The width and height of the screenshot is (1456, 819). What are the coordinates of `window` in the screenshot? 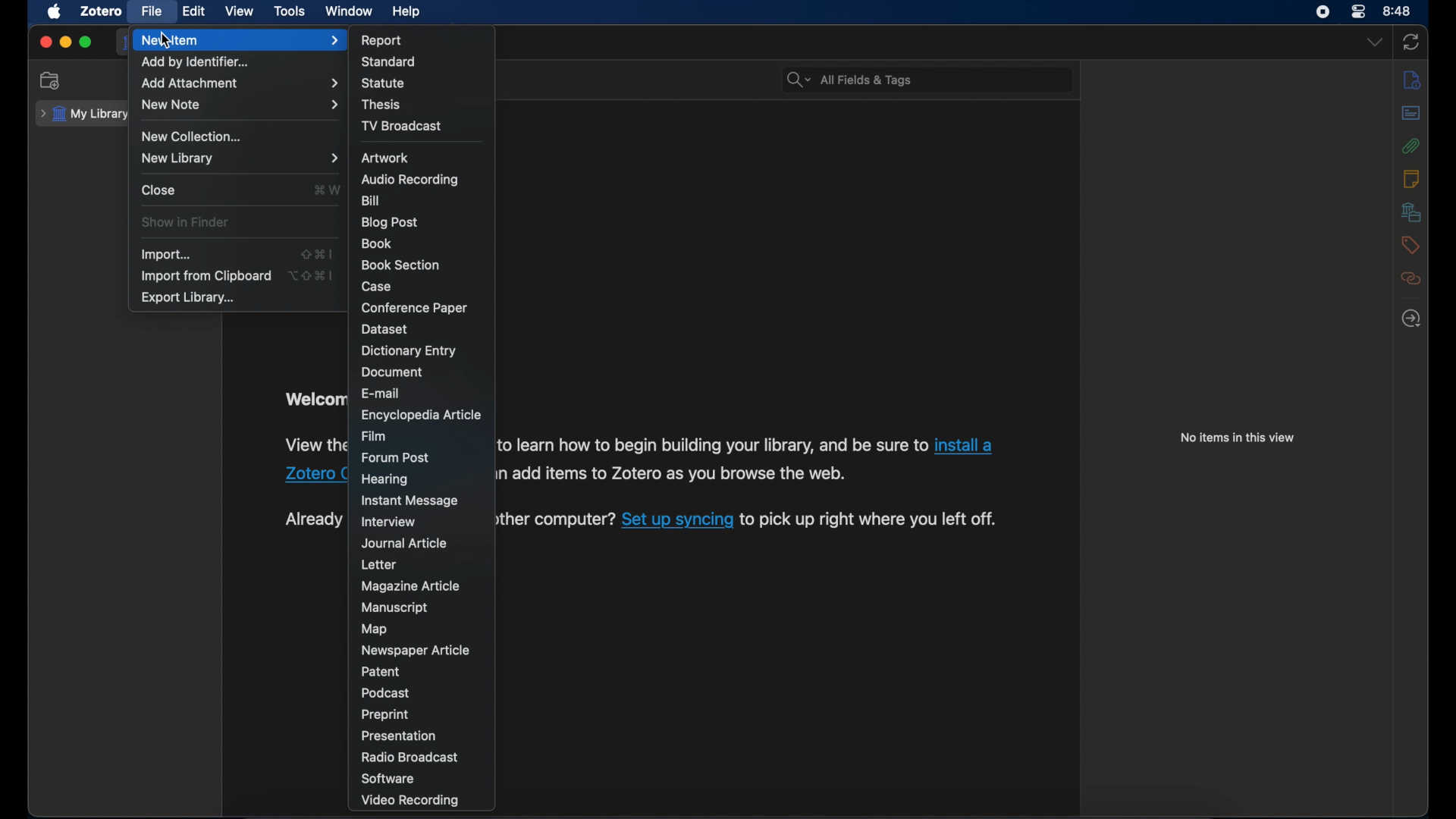 It's located at (349, 11).